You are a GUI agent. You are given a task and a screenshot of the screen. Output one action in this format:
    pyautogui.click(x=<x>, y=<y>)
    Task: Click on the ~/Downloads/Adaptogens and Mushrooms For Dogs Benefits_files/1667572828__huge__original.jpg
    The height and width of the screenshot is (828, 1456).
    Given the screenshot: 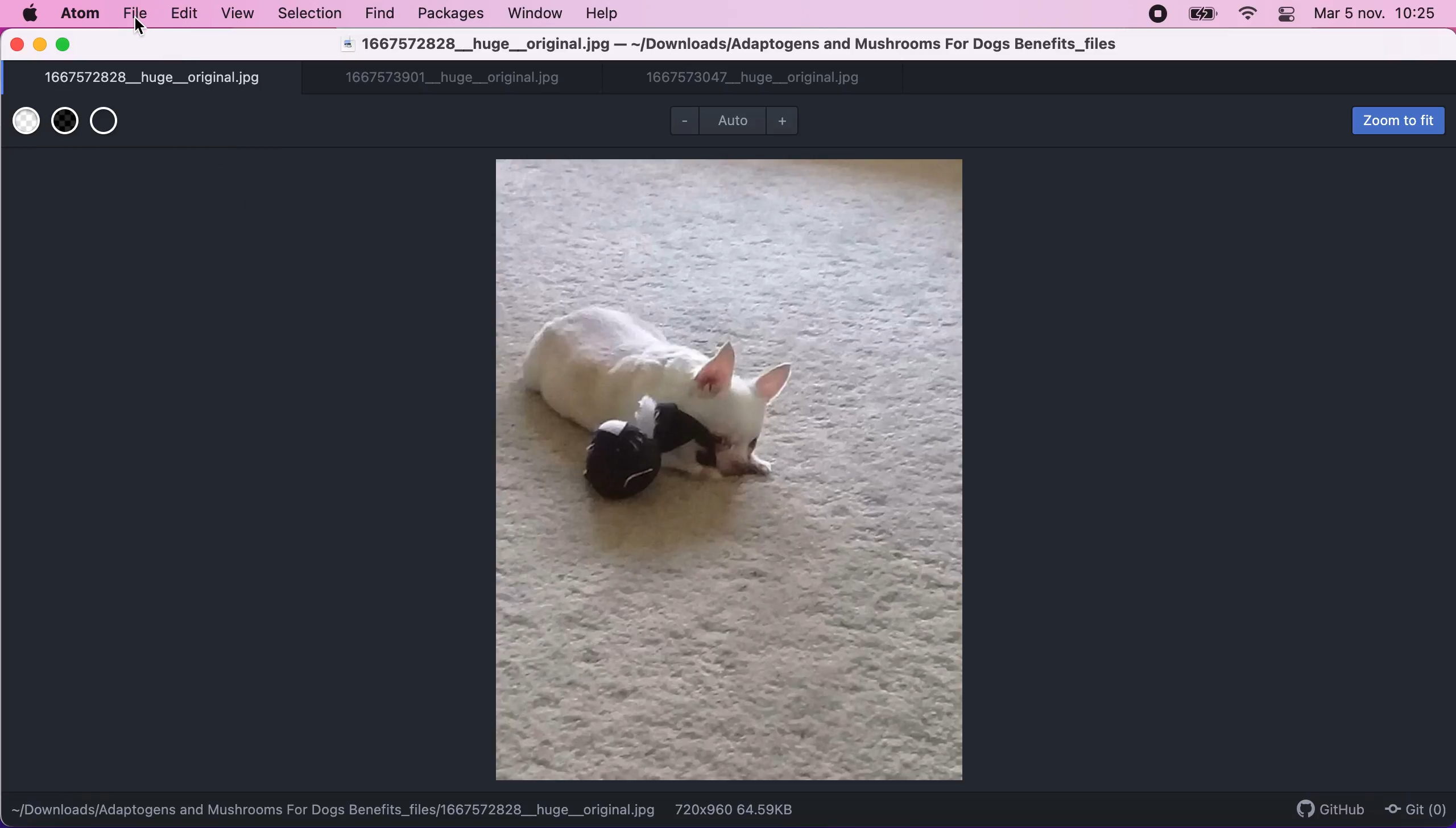 What is the action you would take?
    pyautogui.click(x=334, y=810)
    